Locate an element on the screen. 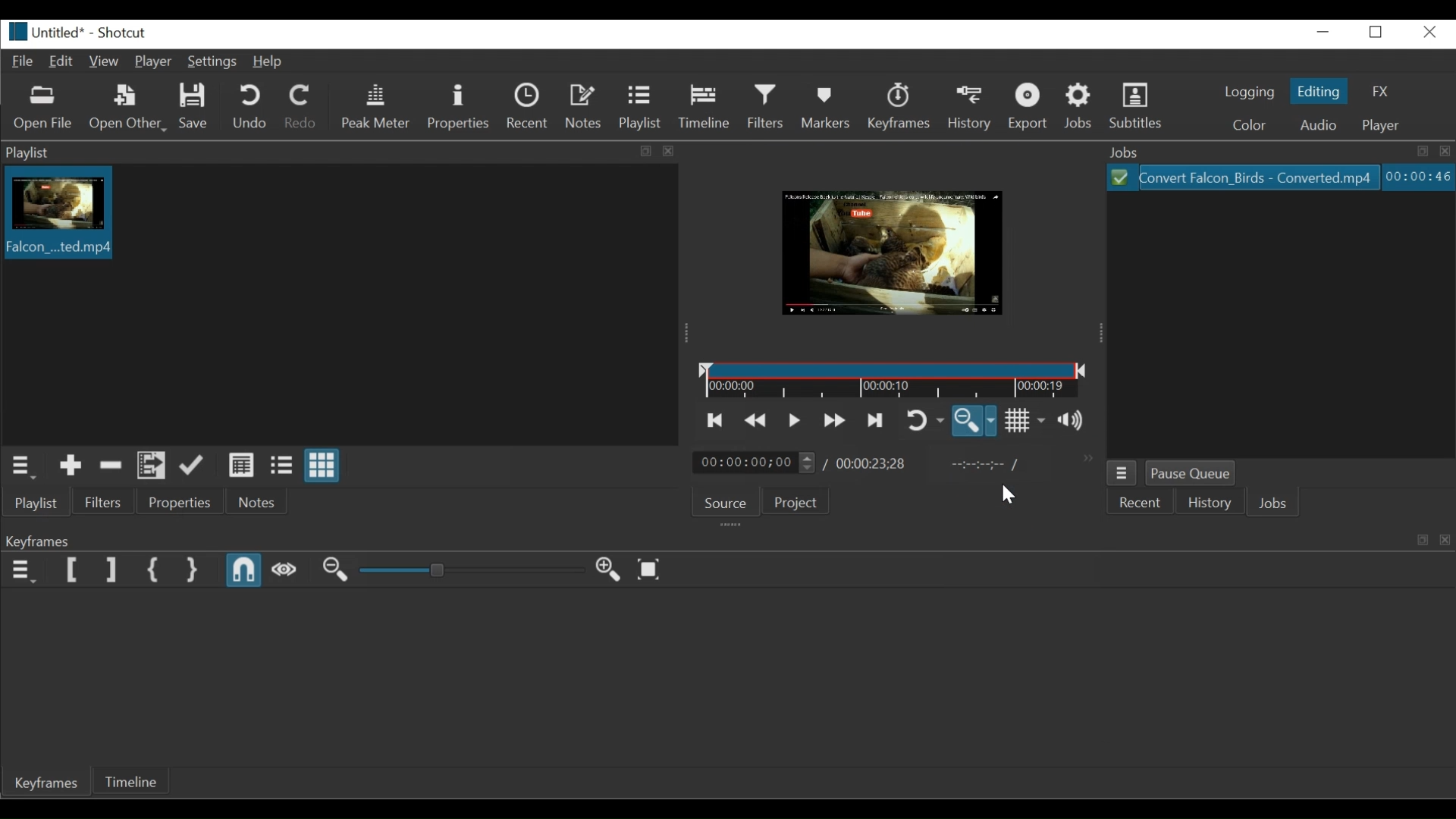 The width and height of the screenshot is (1456, 819). Shotcut is located at coordinates (121, 32).